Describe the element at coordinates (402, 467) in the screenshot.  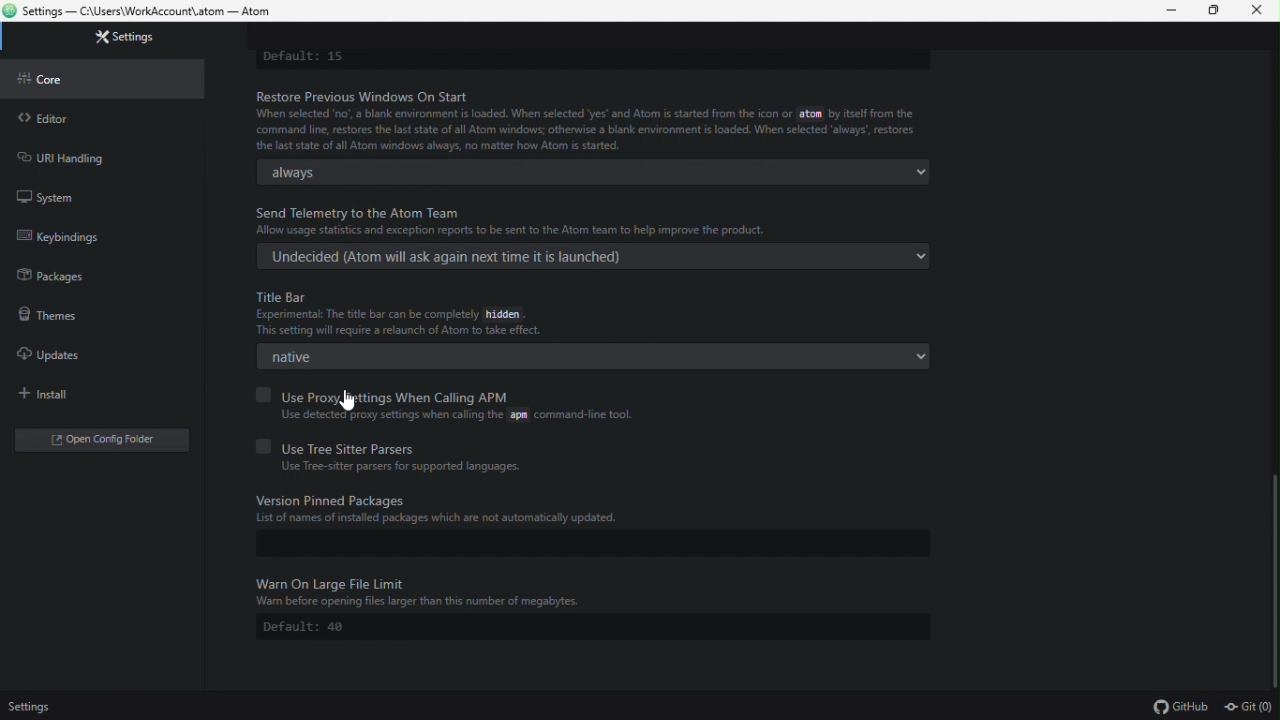
I see `Use Tree-sitter parsers for supported languages.` at that location.